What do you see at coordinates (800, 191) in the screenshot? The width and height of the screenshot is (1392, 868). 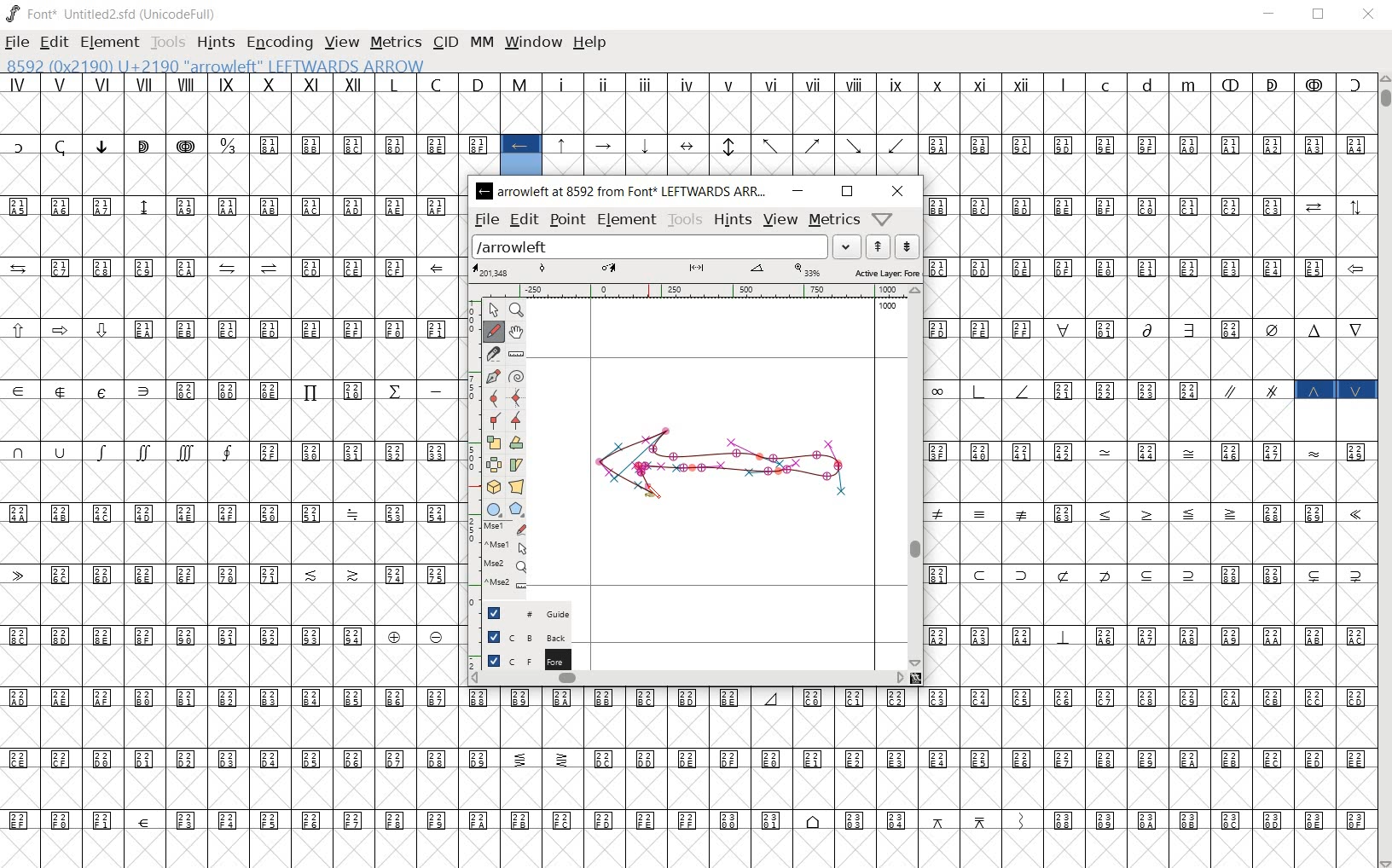 I see `minimize` at bounding box center [800, 191].